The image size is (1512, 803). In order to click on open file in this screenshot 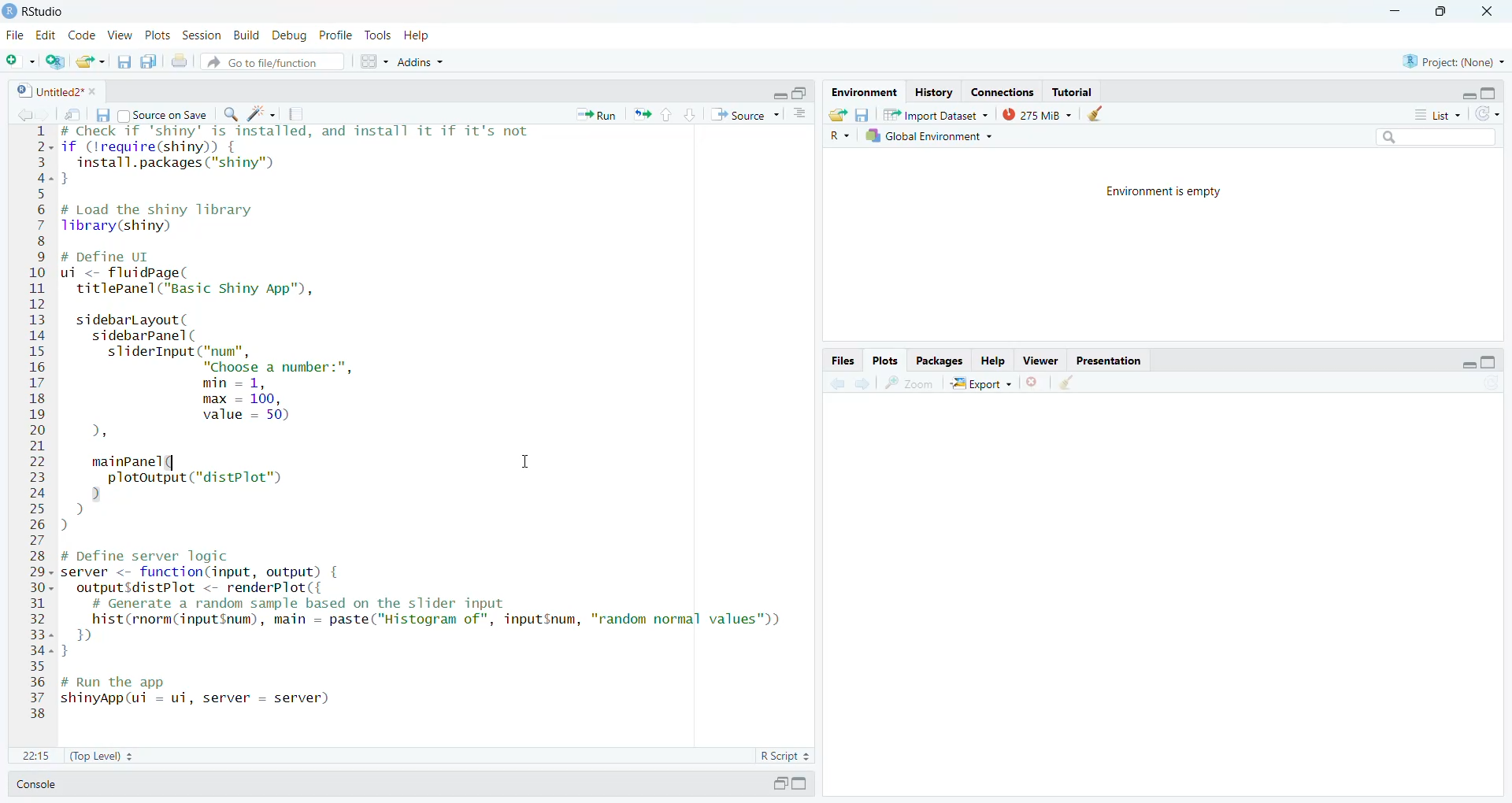, I will do `click(92, 62)`.